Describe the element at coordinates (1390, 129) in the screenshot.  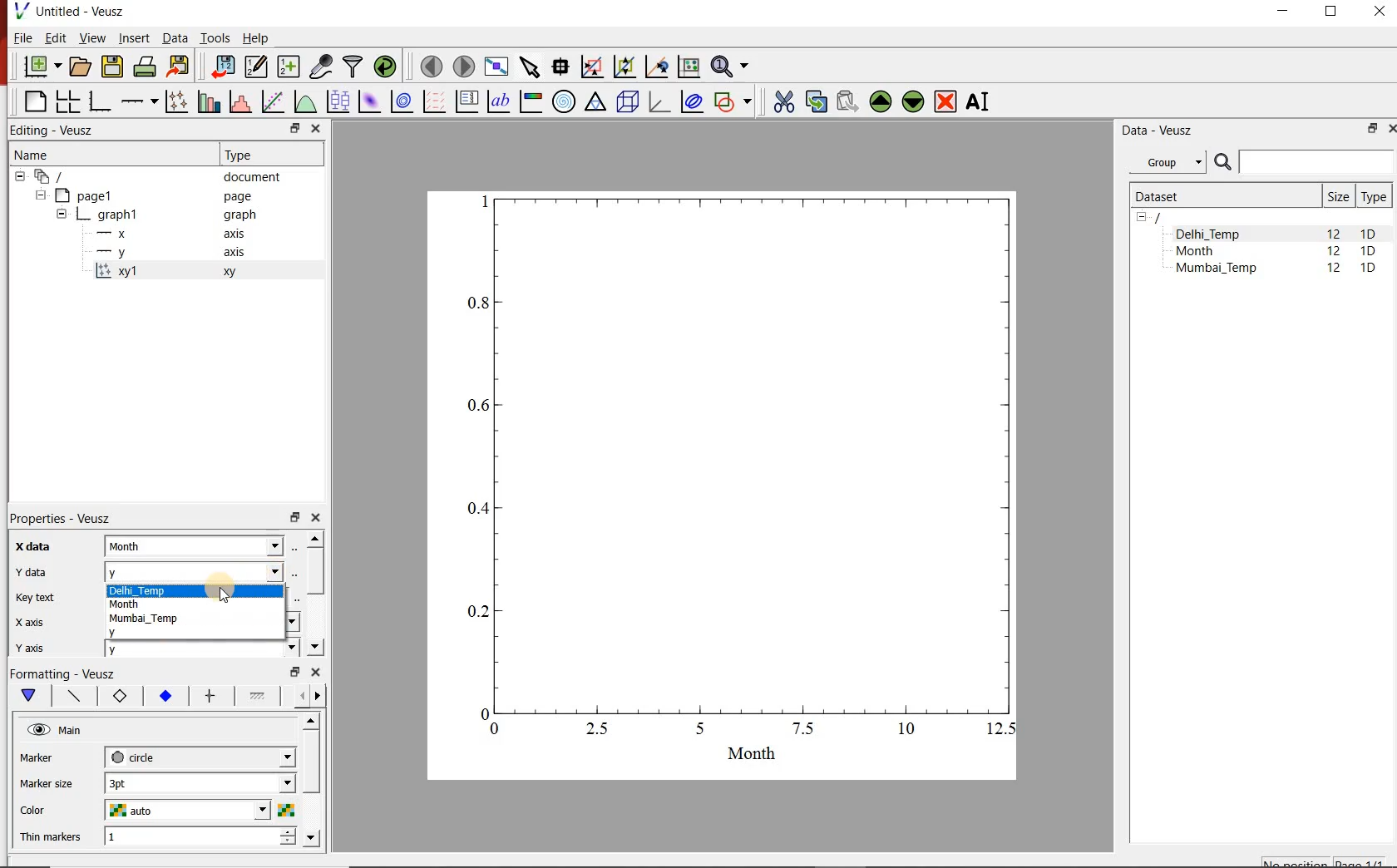
I see `CLOSE` at that location.